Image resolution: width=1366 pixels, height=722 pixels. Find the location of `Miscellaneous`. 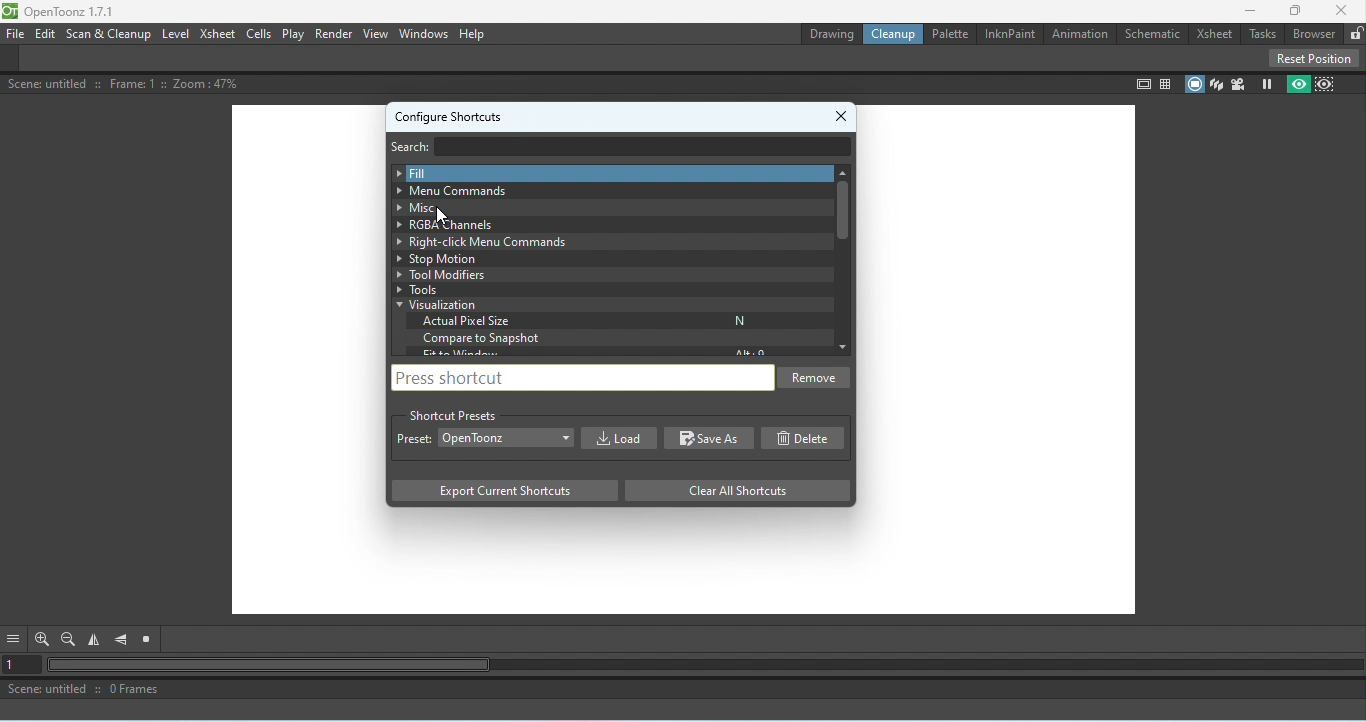

Miscellaneous is located at coordinates (603, 207).